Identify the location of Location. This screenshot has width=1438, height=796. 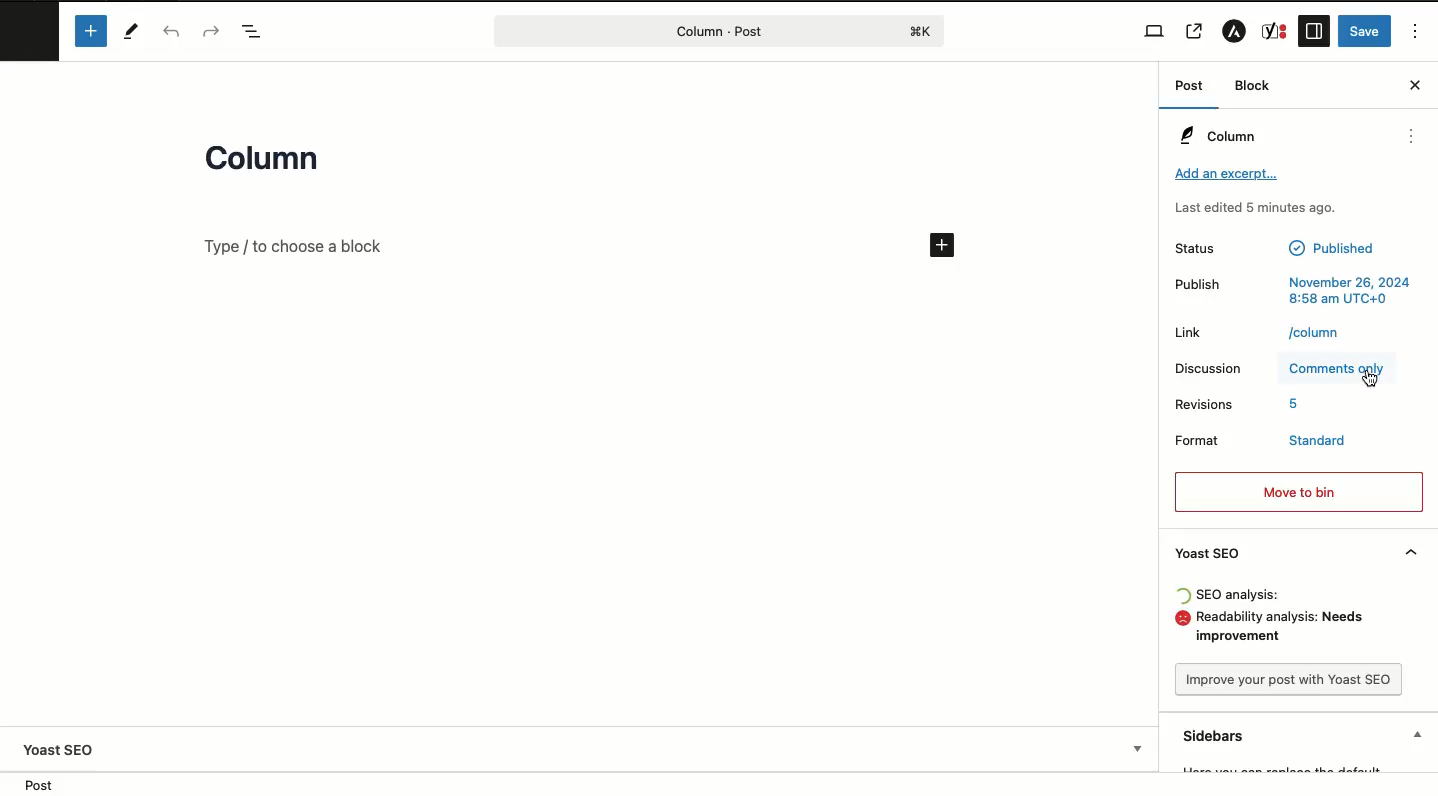
(43, 785).